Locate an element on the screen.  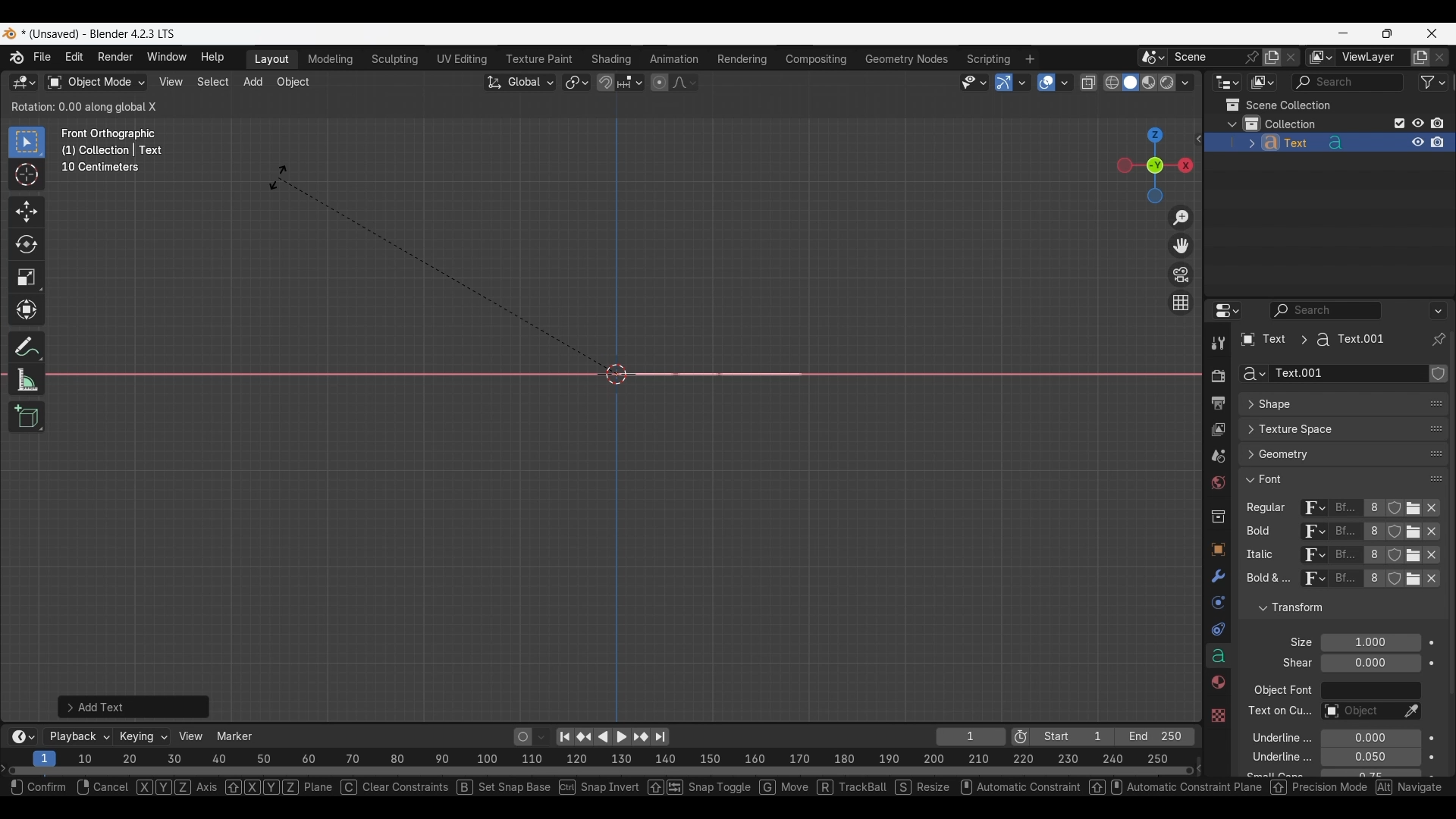
Editor type is located at coordinates (1227, 82).